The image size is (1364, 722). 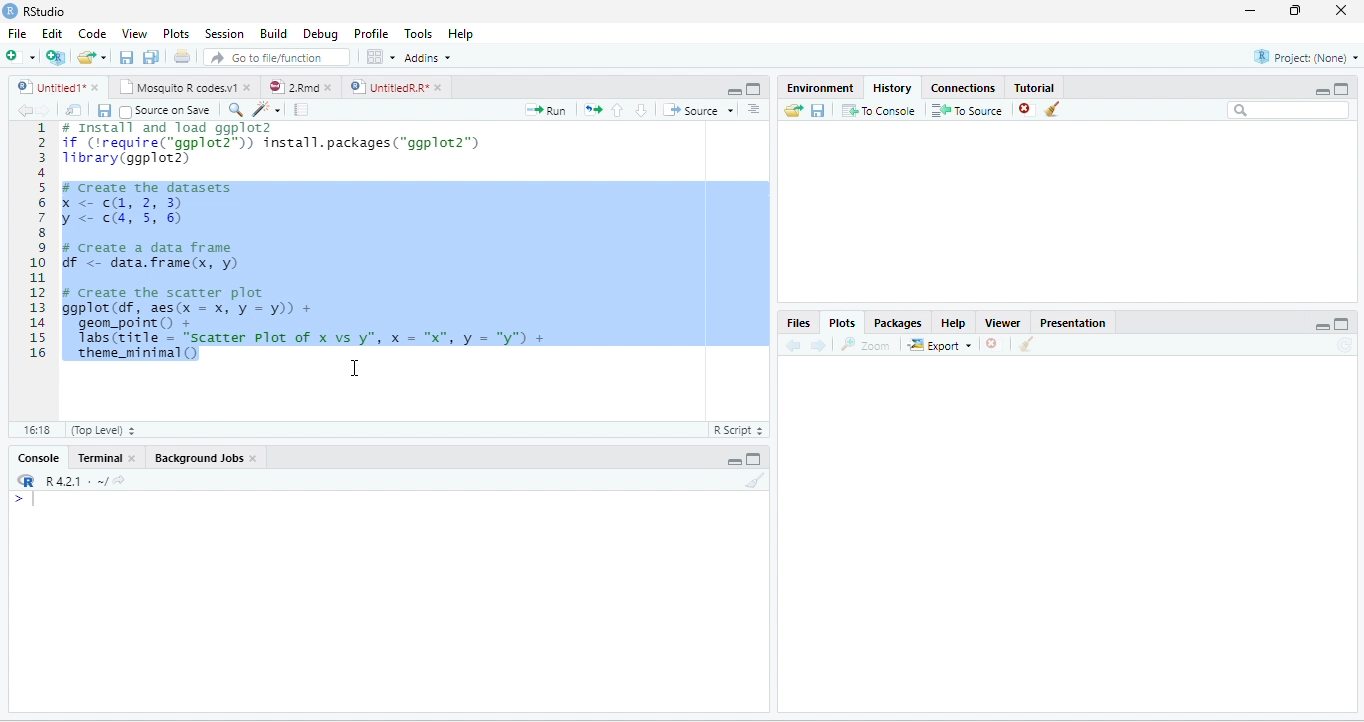 I want to click on New line, so click(x=25, y=498).